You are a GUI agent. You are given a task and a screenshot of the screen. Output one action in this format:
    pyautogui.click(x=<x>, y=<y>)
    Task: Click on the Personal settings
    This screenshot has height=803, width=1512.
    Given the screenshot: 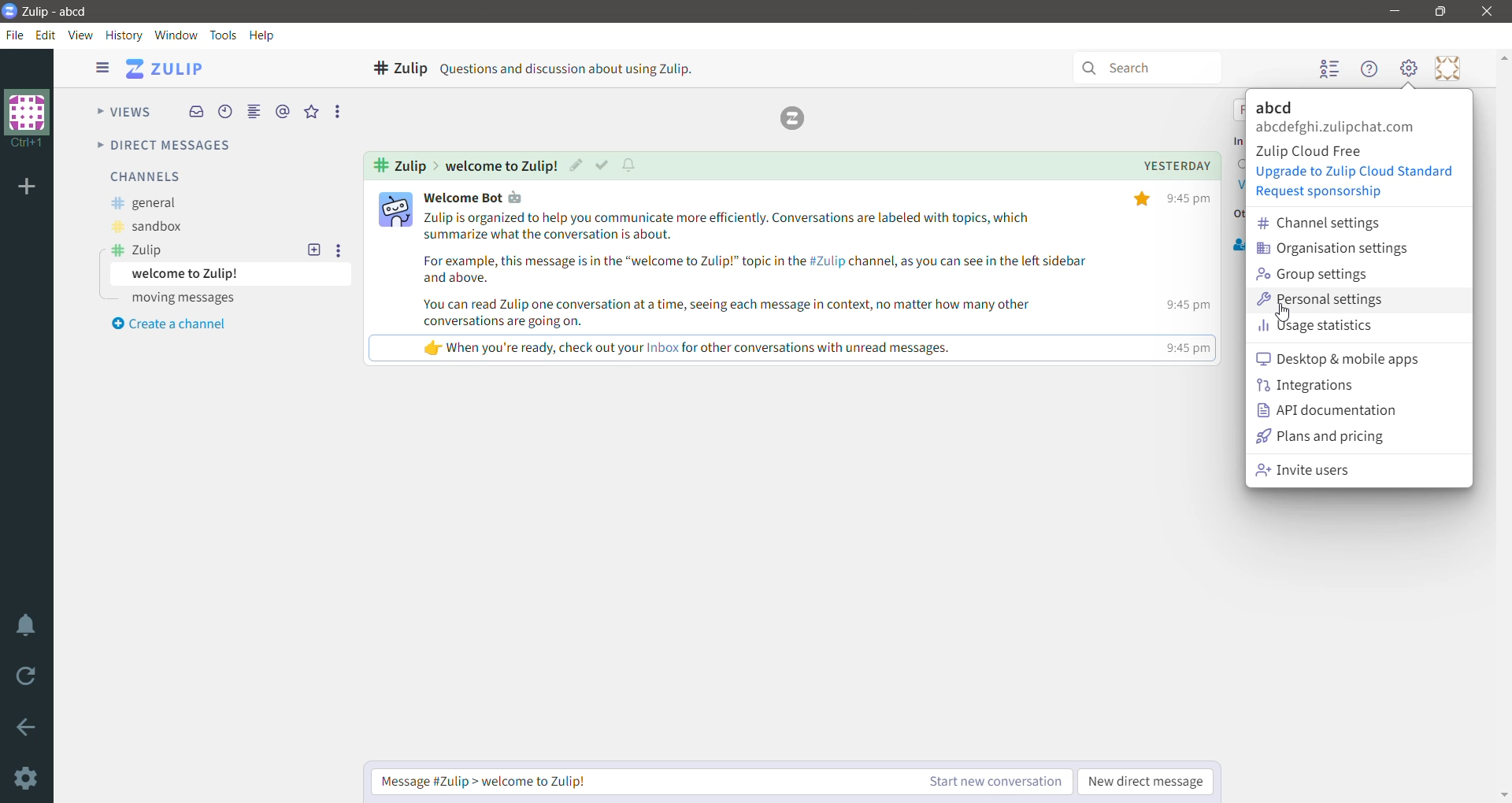 What is the action you would take?
    pyautogui.click(x=1360, y=299)
    